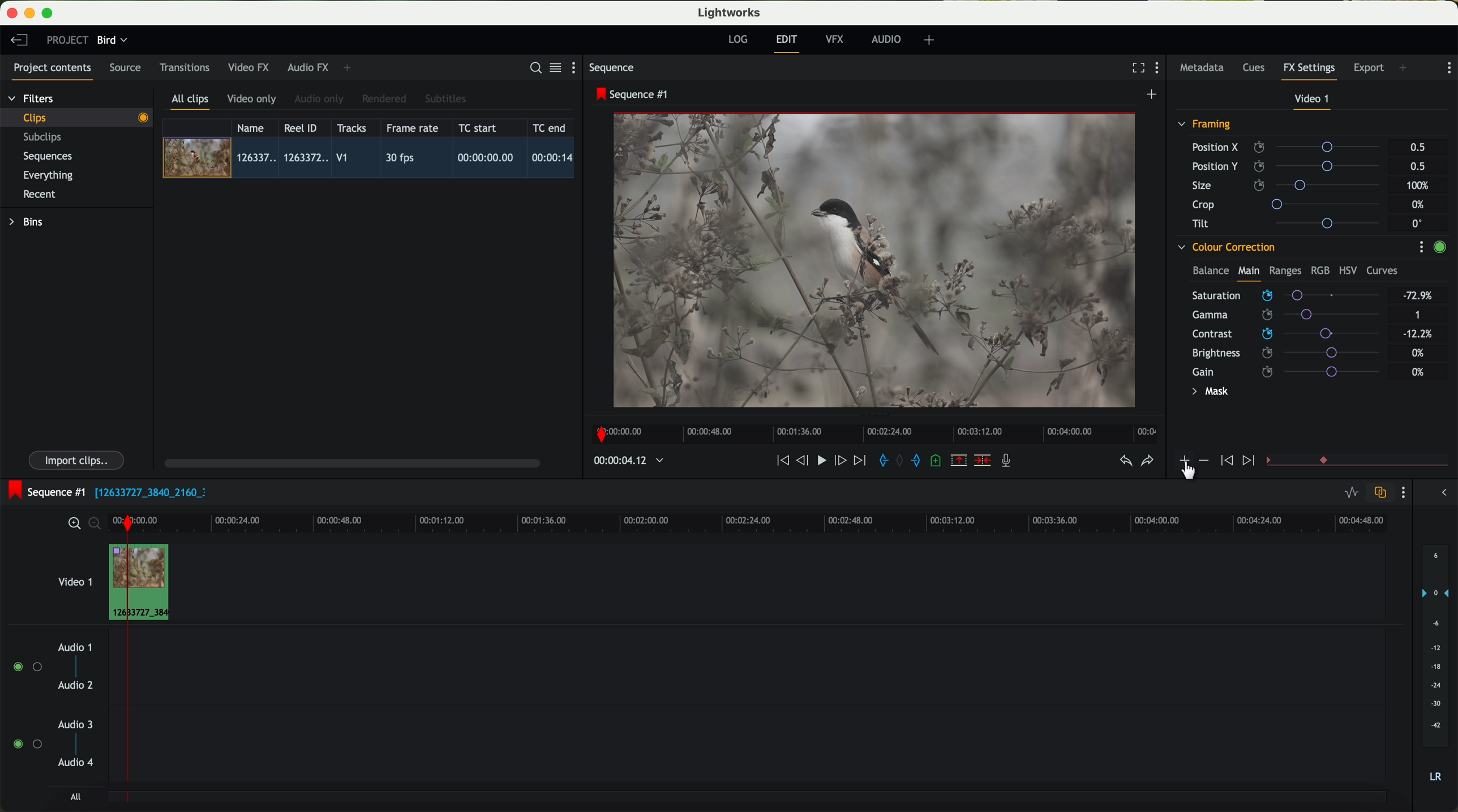 The image size is (1458, 812). I want to click on rewind, so click(782, 461).